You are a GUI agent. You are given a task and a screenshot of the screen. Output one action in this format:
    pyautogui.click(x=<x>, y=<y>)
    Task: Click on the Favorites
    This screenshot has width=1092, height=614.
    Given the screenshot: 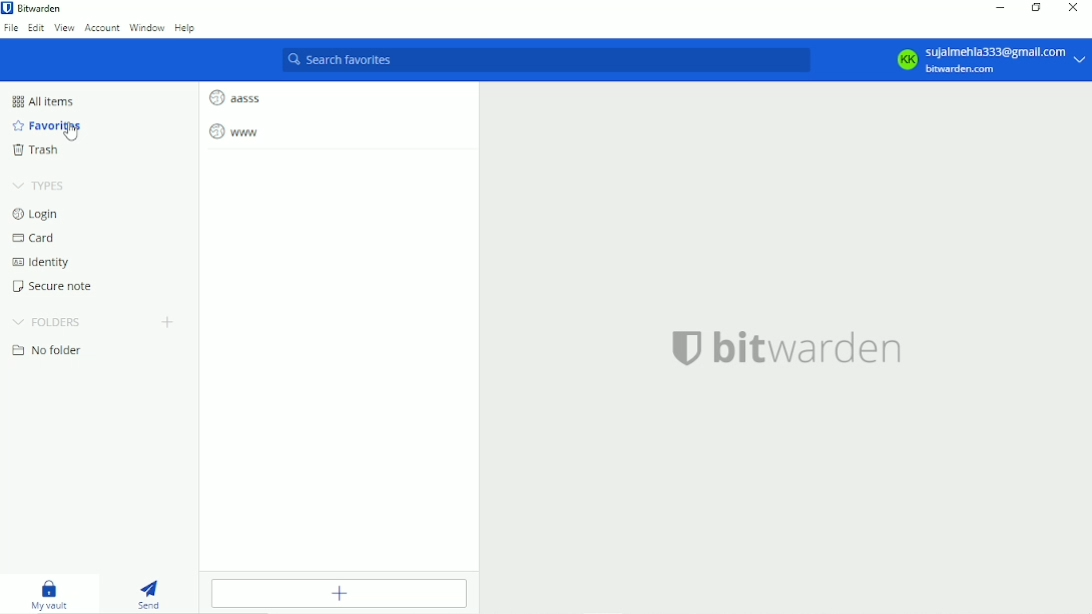 What is the action you would take?
    pyautogui.click(x=45, y=126)
    